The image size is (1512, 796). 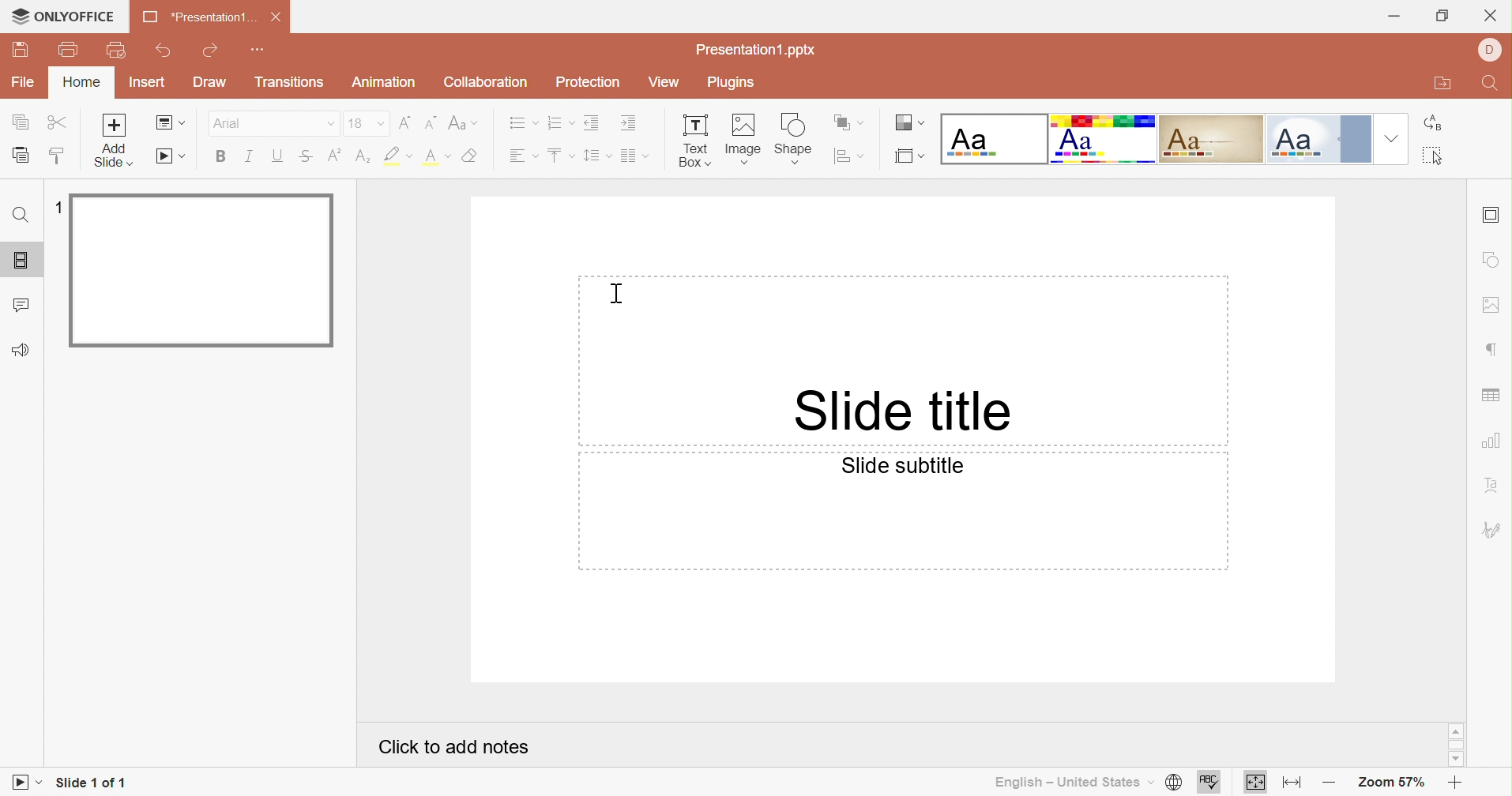 What do you see at coordinates (521, 155) in the screenshot?
I see `Horizontal align` at bounding box center [521, 155].